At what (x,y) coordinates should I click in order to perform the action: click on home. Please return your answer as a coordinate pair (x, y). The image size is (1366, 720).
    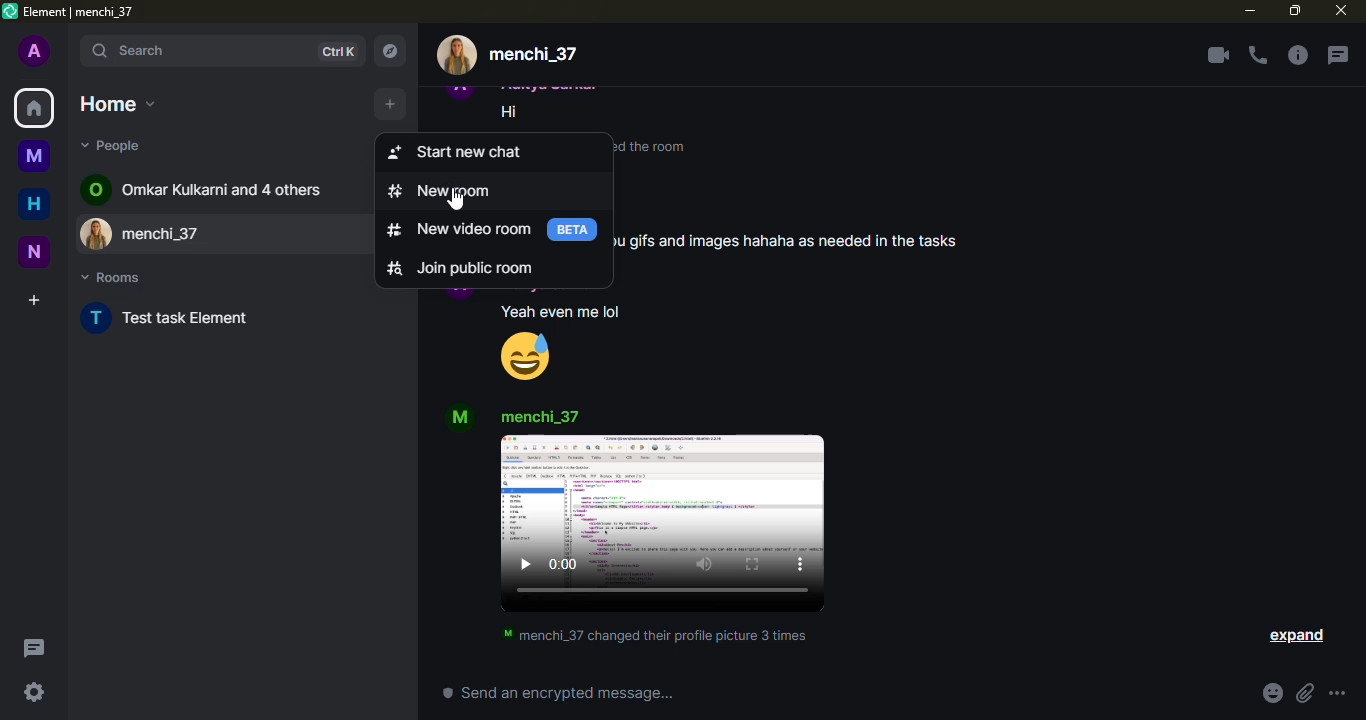
    Looking at the image, I should click on (118, 104).